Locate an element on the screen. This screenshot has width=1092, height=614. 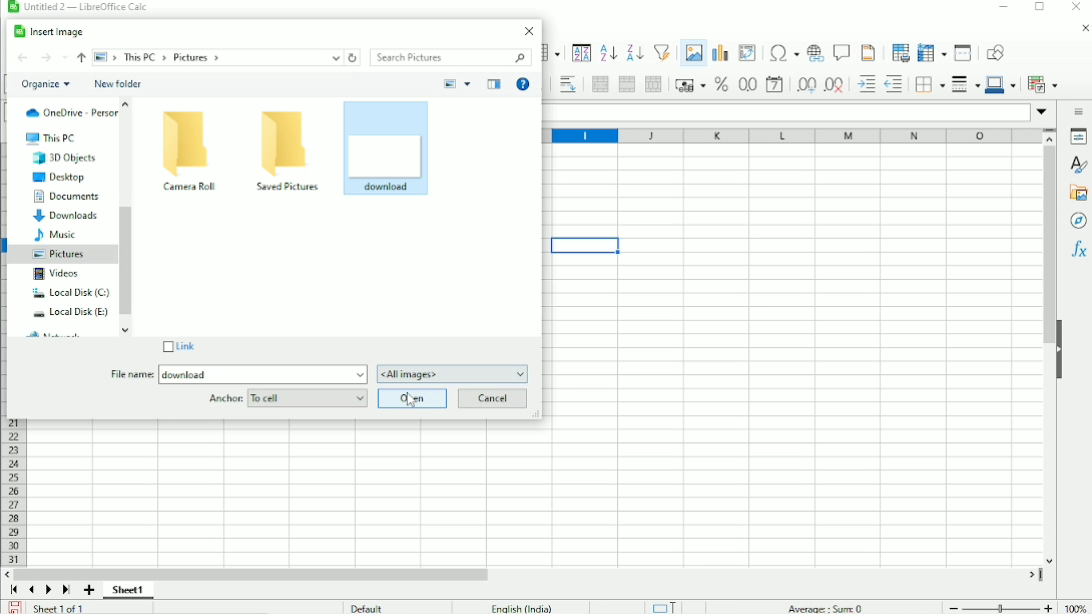
Zoom out/in is located at coordinates (1001, 607).